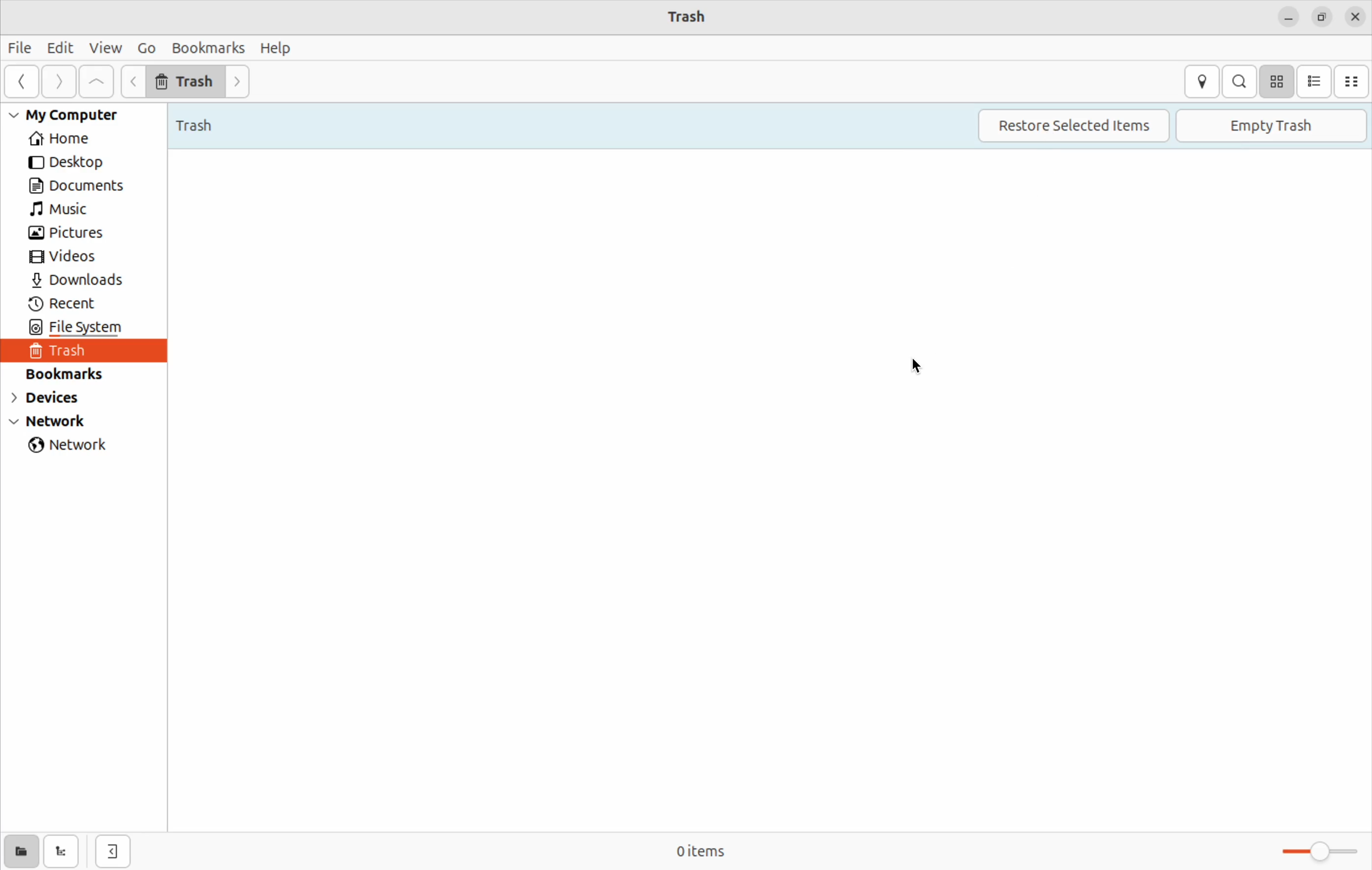  Describe the element at coordinates (1313, 851) in the screenshot. I see `toggle bar` at that location.